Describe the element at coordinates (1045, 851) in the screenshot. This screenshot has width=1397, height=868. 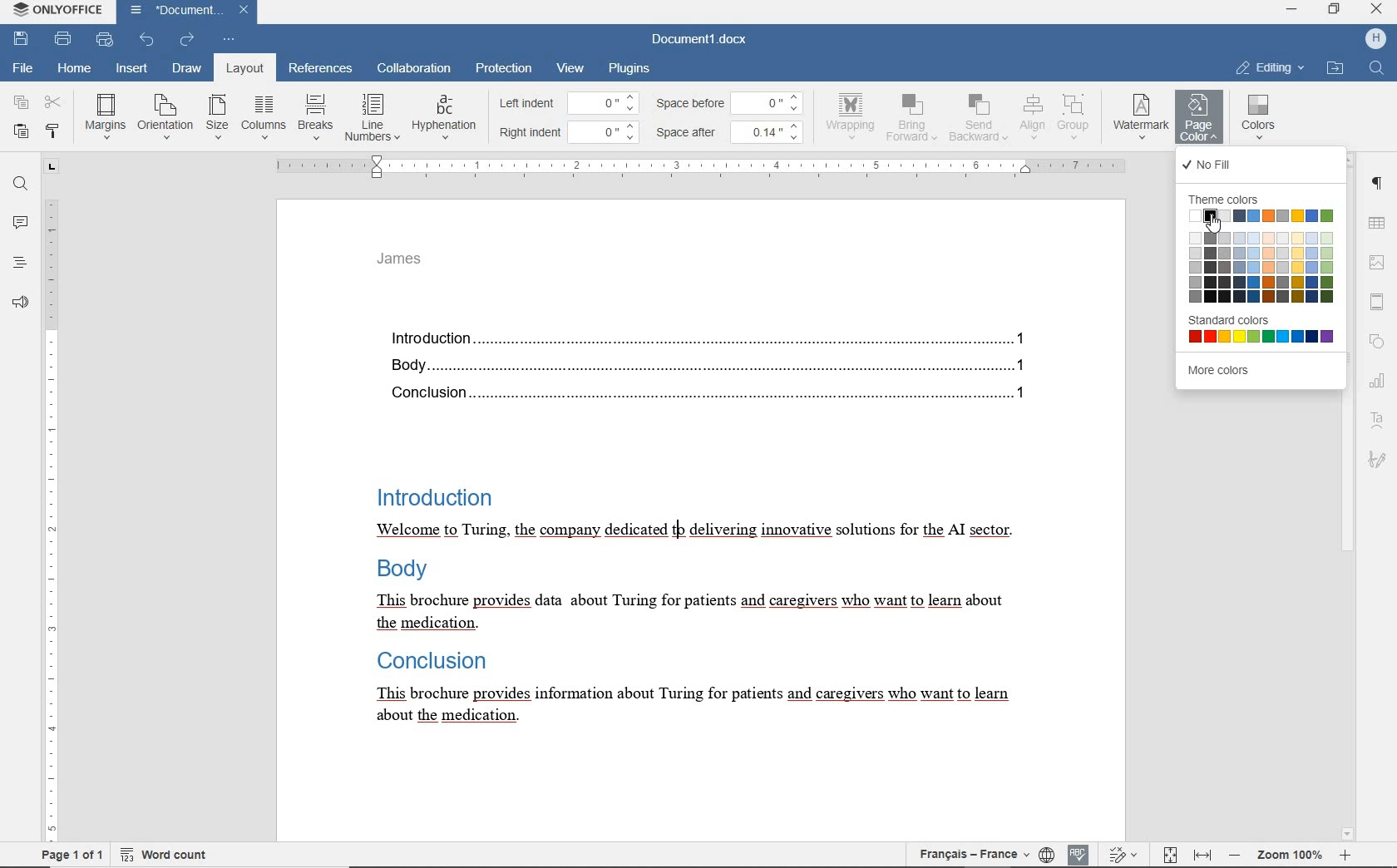
I see `set document language` at that location.